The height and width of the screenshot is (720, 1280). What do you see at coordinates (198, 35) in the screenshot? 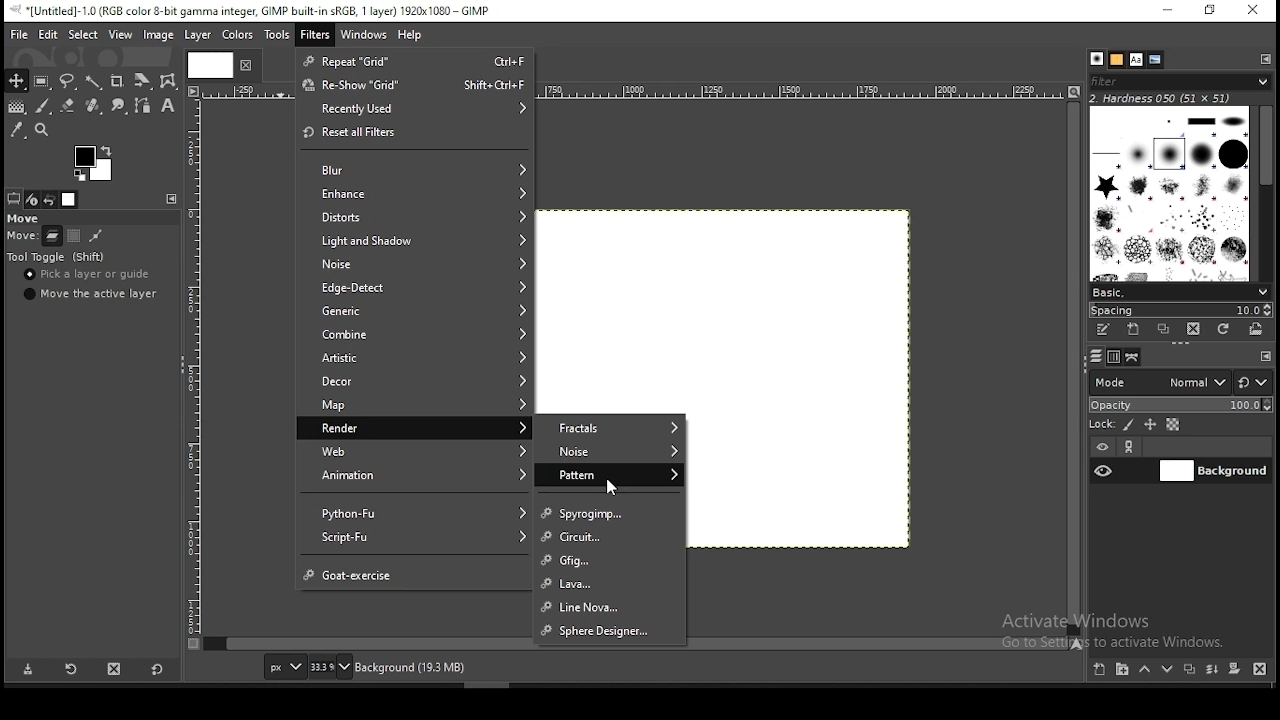
I see `layer` at bounding box center [198, 35].